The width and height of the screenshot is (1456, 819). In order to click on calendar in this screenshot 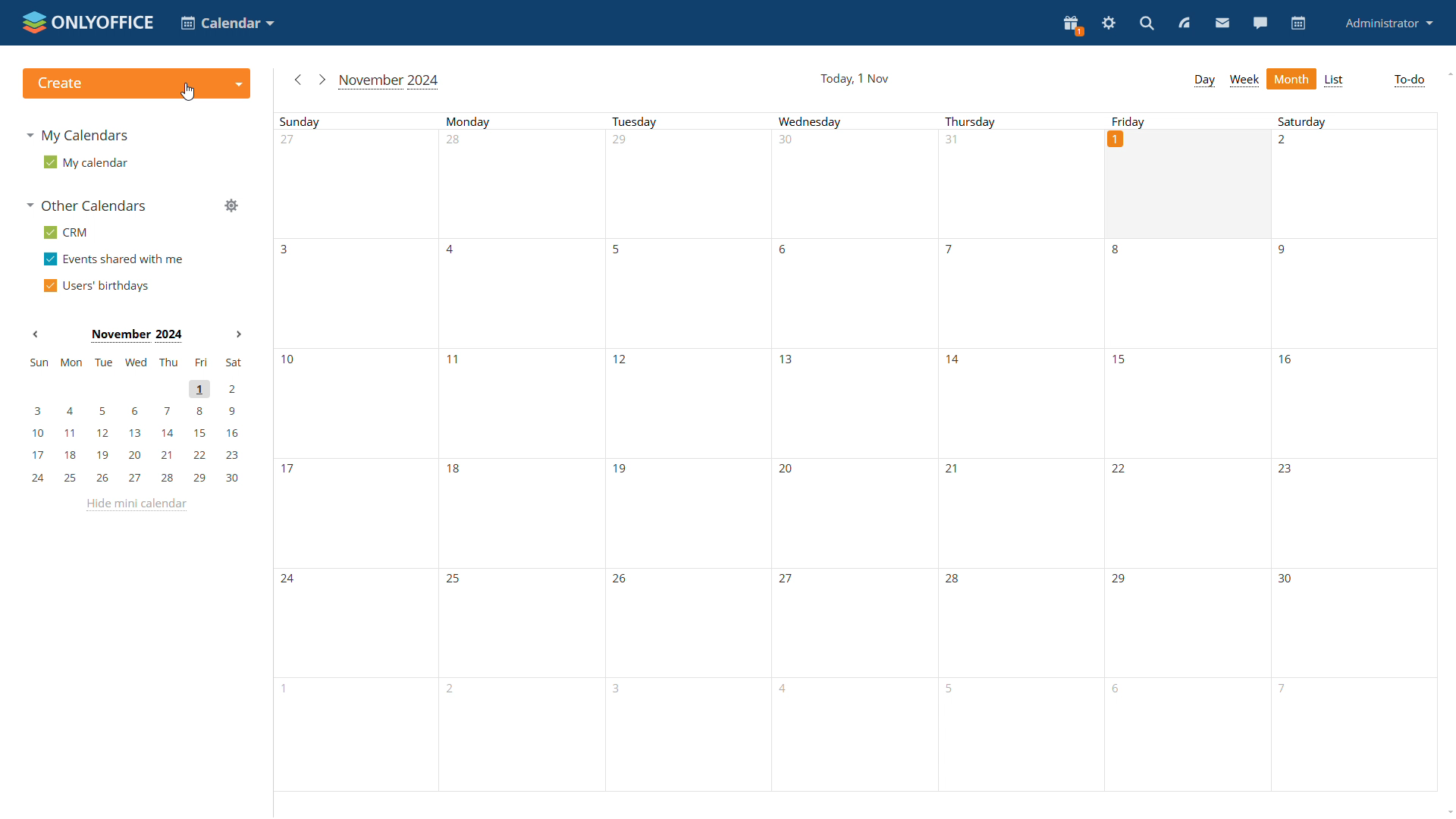, I will do `click(1299, 24)`.